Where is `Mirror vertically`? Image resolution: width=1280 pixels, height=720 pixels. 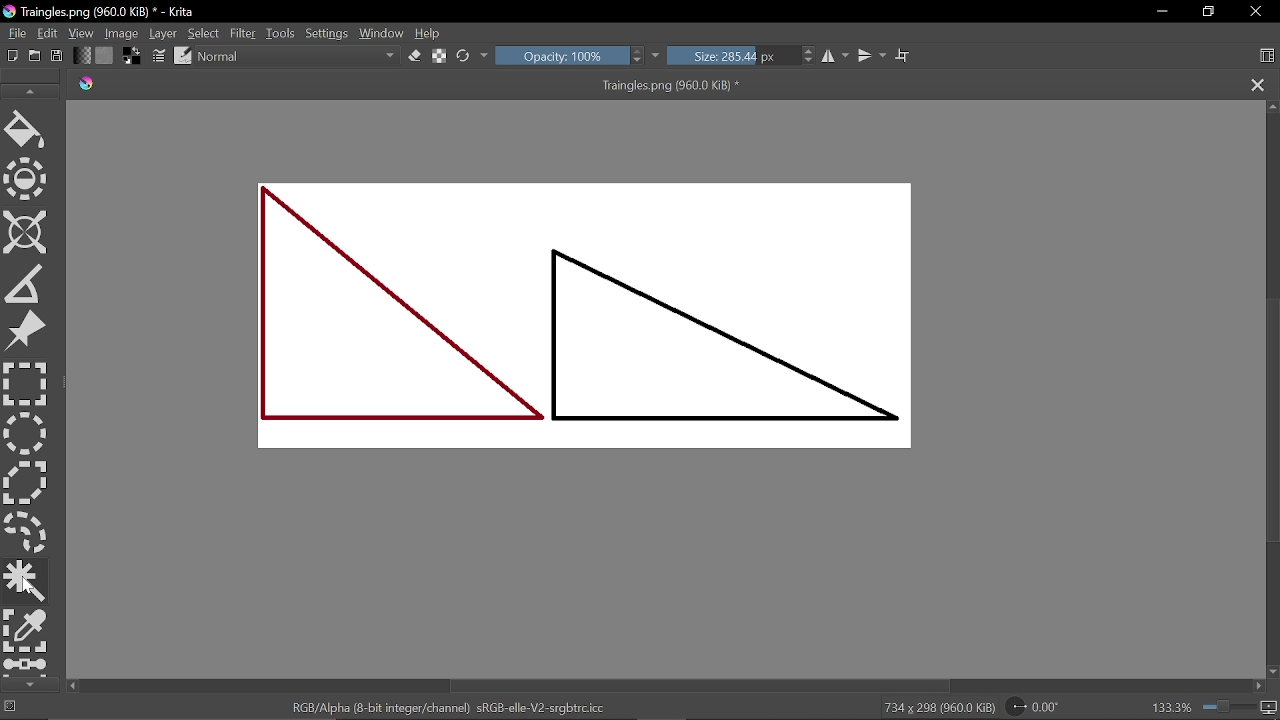 Mirror vertically is located at coordinates (870, 56).